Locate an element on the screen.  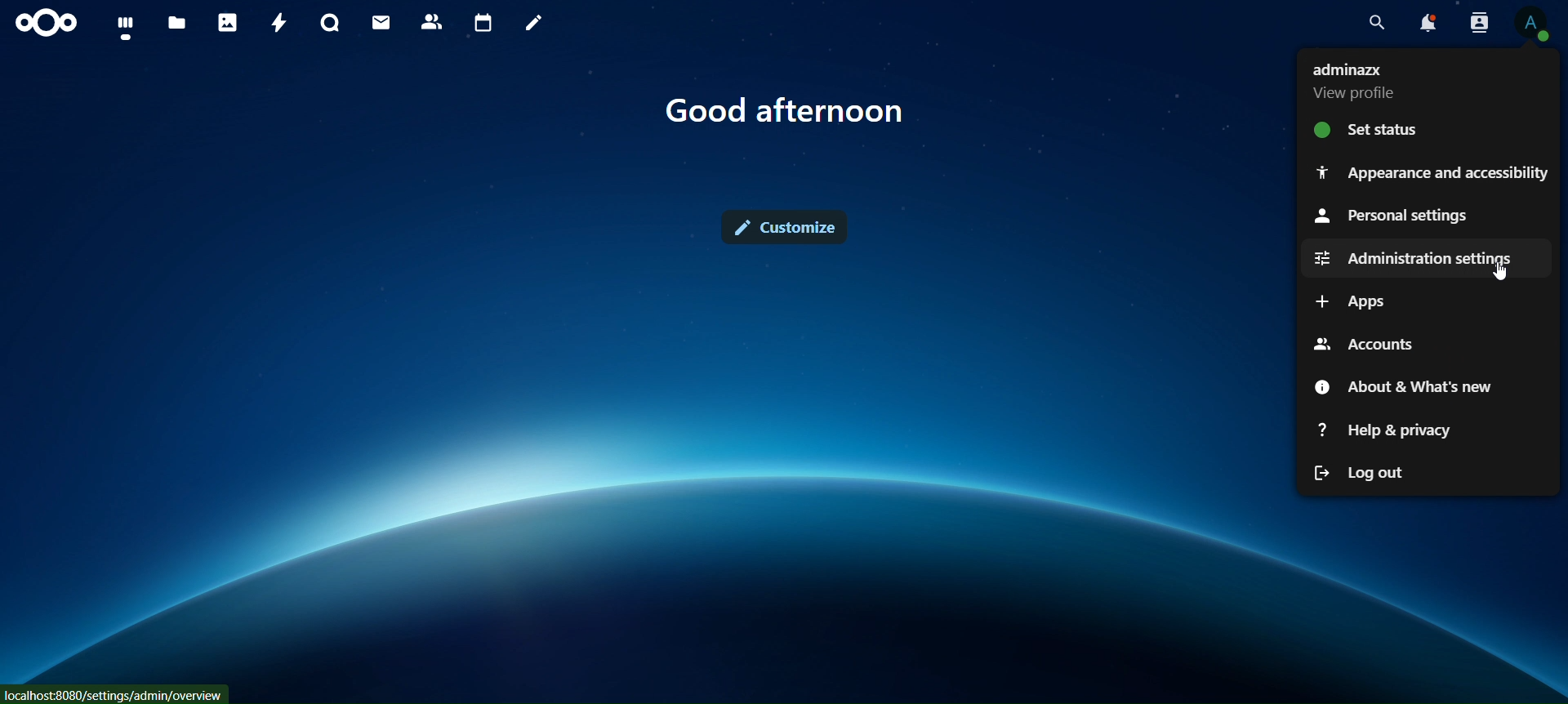
view profile is located at coordinates (1534, 25).